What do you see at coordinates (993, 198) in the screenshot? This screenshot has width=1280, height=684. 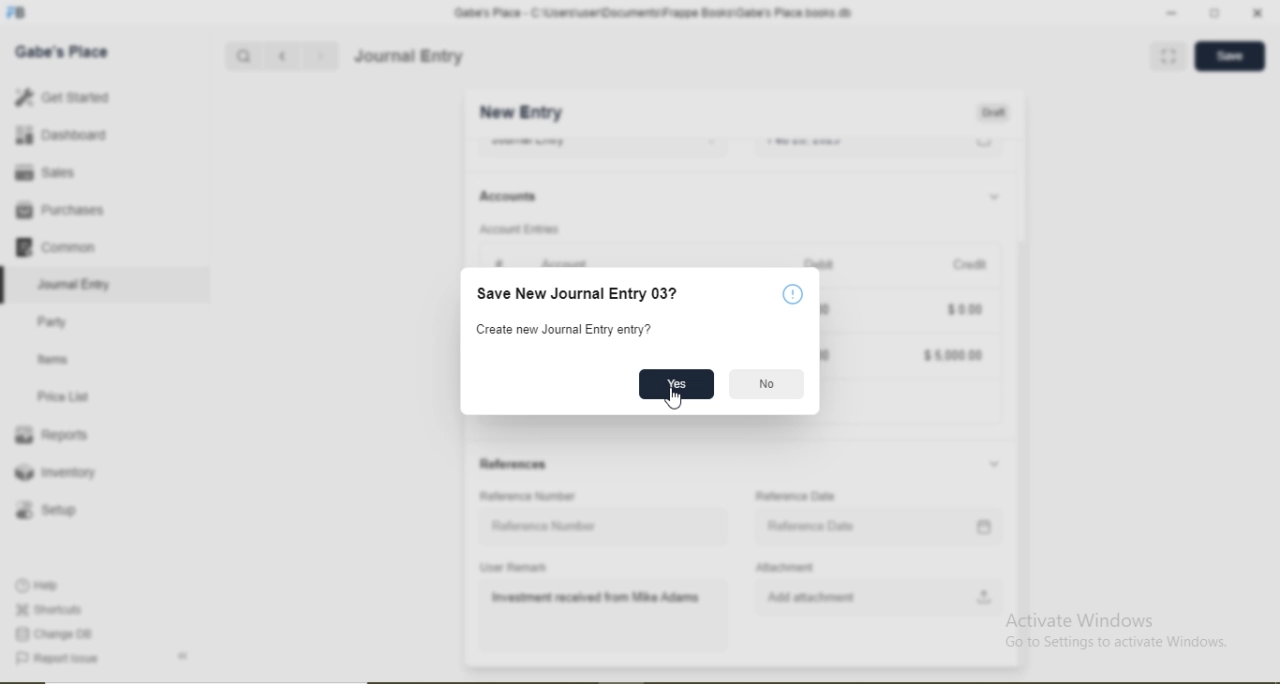 I see `Dropdown` at bounding box center [993, 198].